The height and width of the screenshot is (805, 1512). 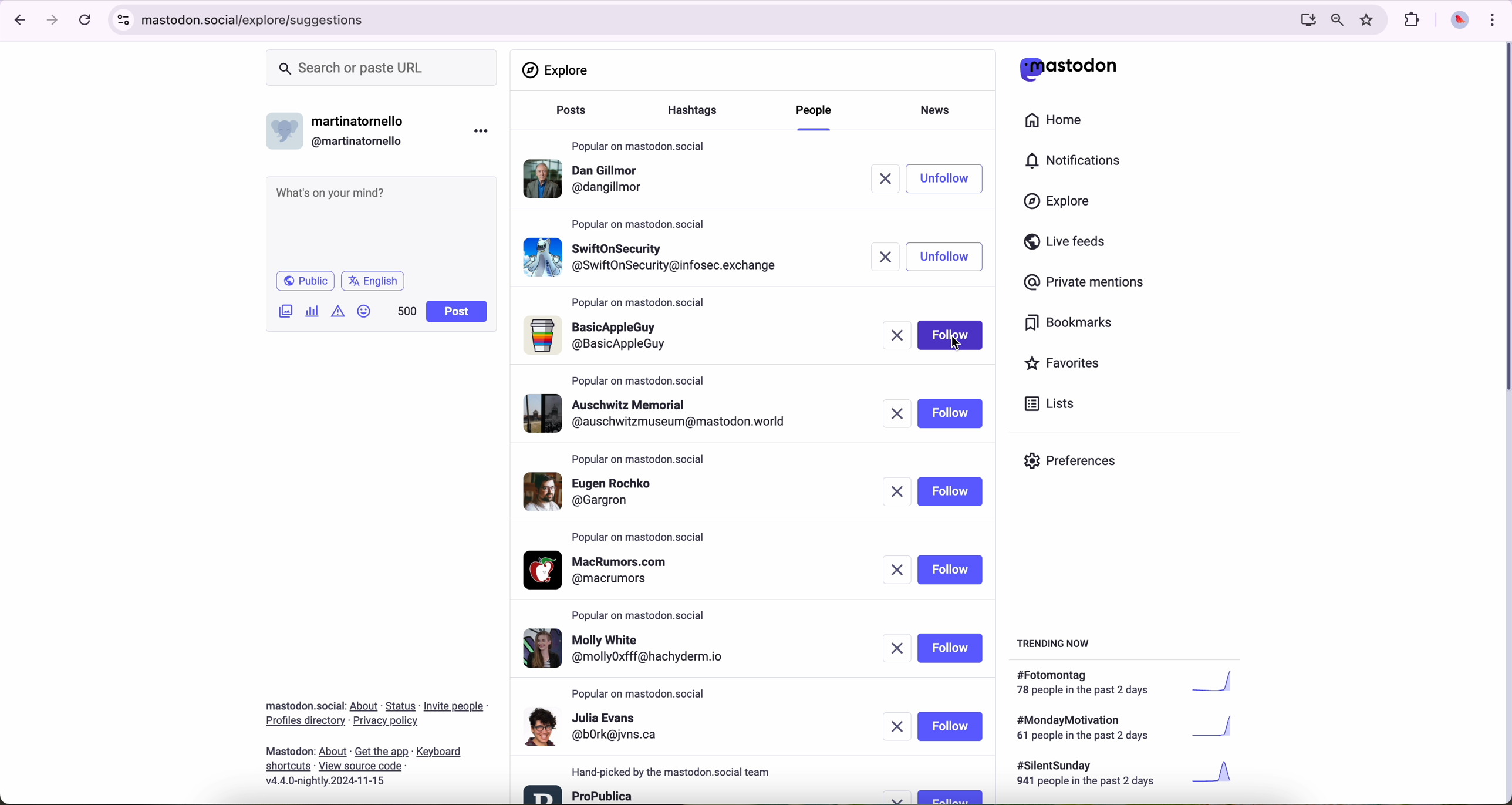 What do you see at coordinates (945, 257) in the screenshot?
I see `unfollow` at bounding box center [945, 257].